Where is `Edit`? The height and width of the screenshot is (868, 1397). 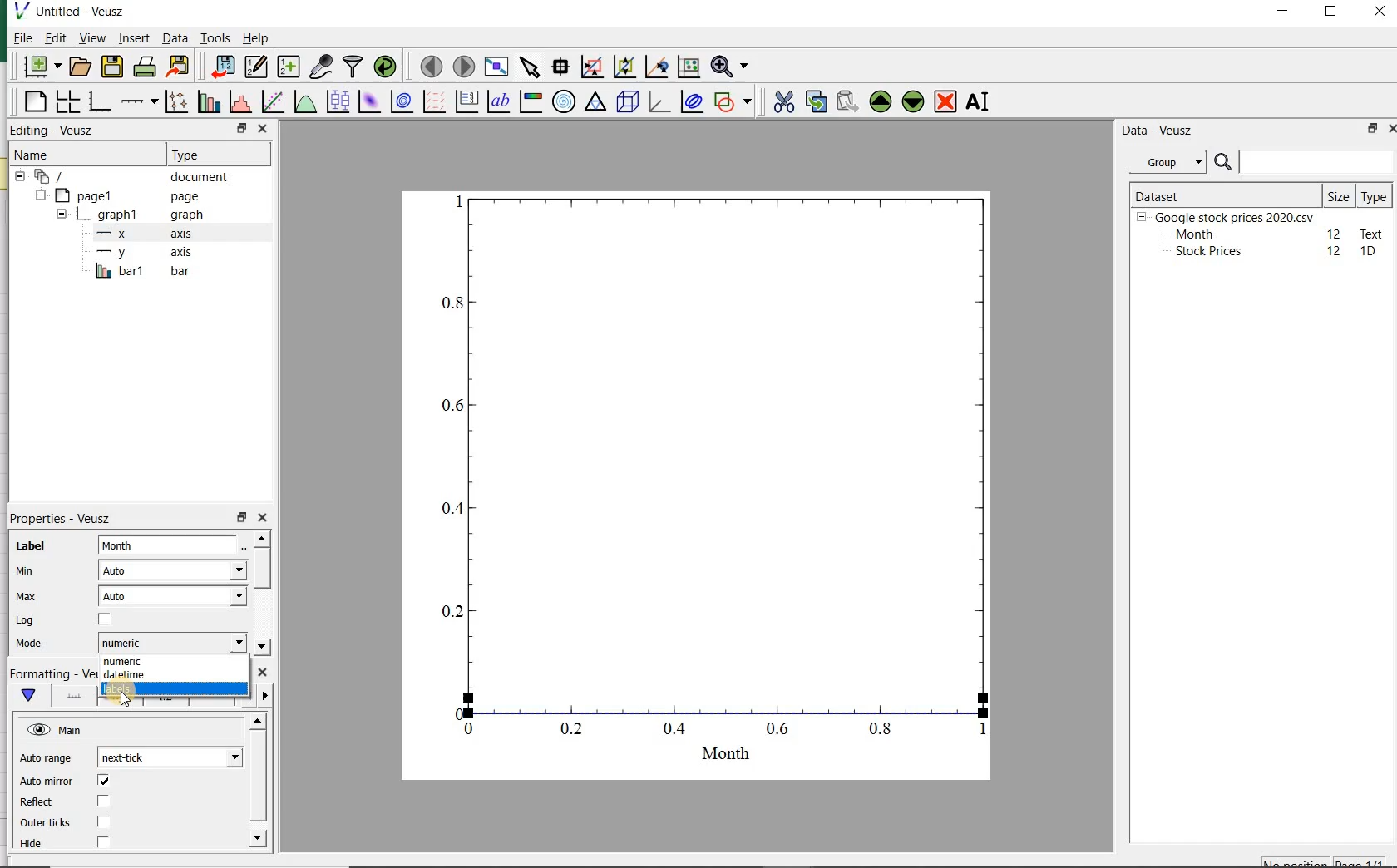 Edit is located at coordinates (54, 37).